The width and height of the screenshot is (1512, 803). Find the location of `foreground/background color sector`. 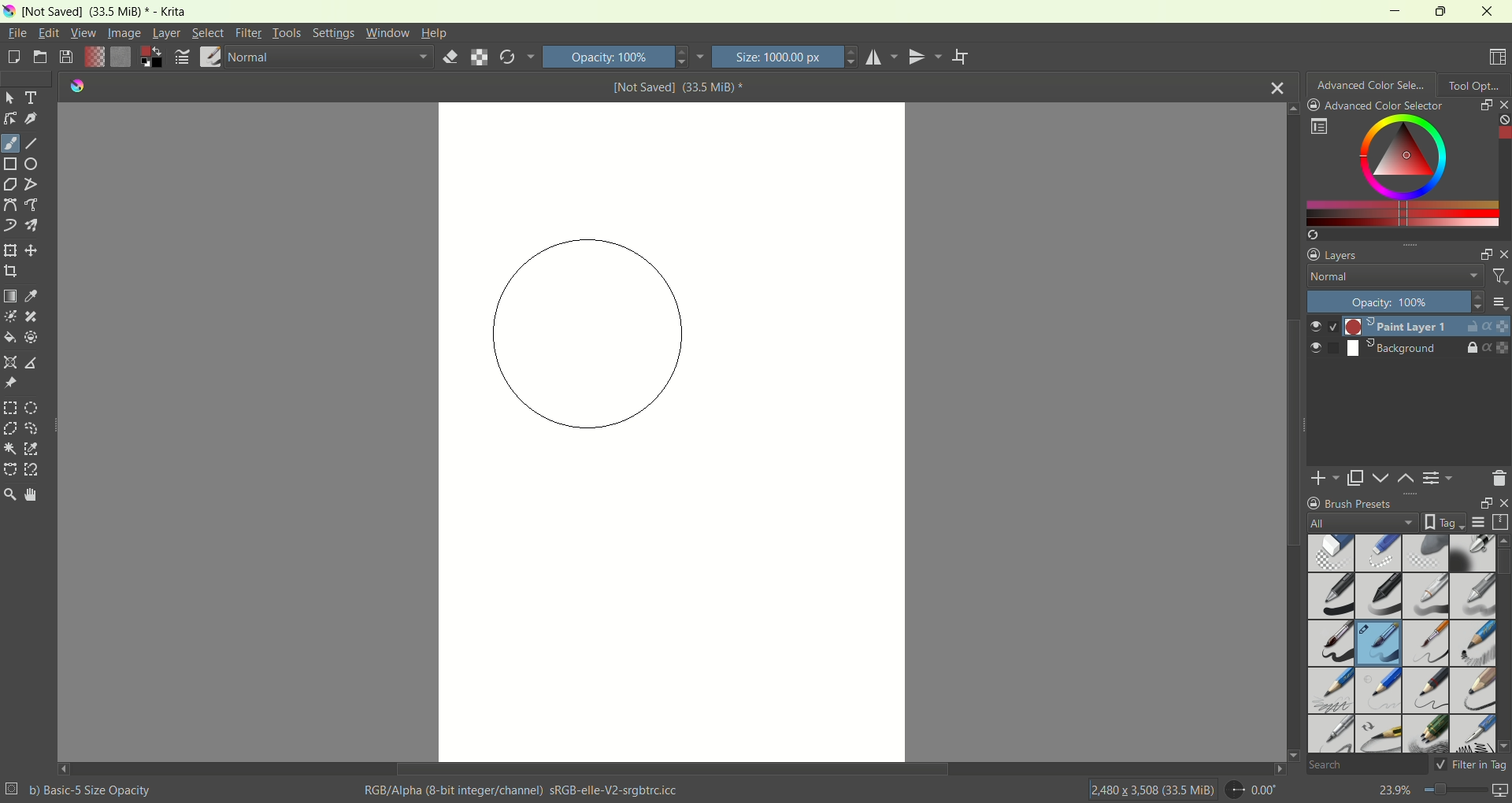

foreground/background color sector is located at coordinates (152, 58).